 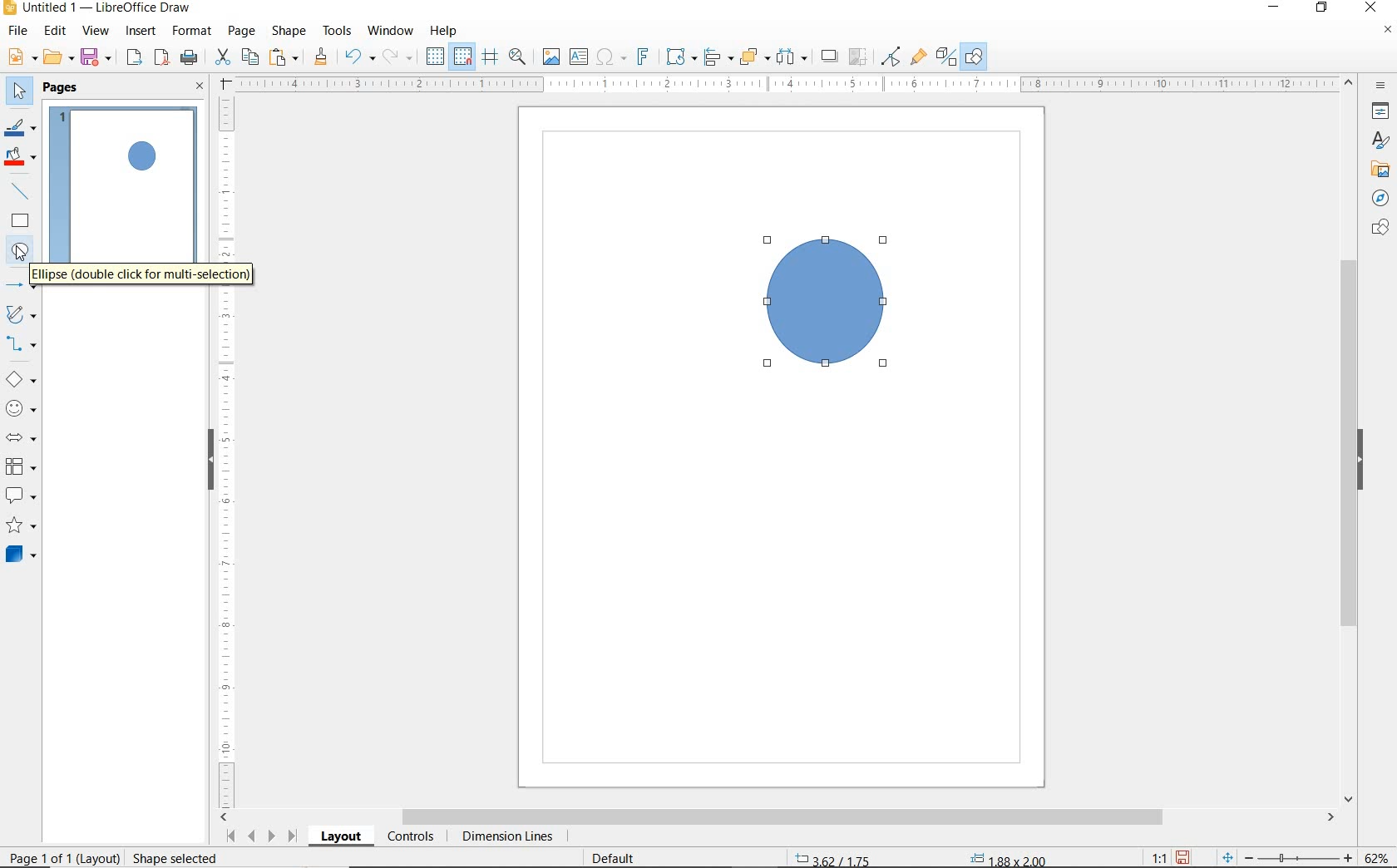 What do you see at coordinates (829, 308) in the screenshot?
I see `DRAWN CIRCLE` at bounding box center [829, 308].